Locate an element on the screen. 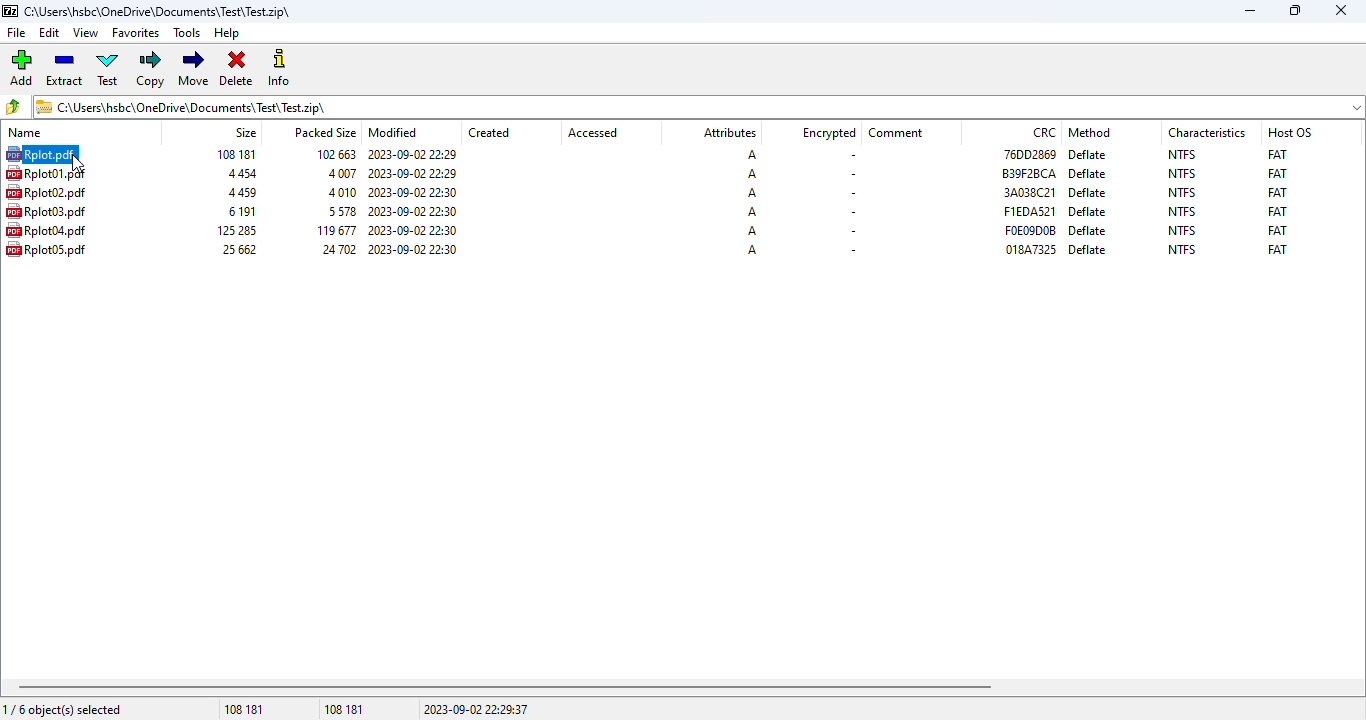 This screenshot has width=1366, height=720. NTFS is located at coordinates (1183, 230).